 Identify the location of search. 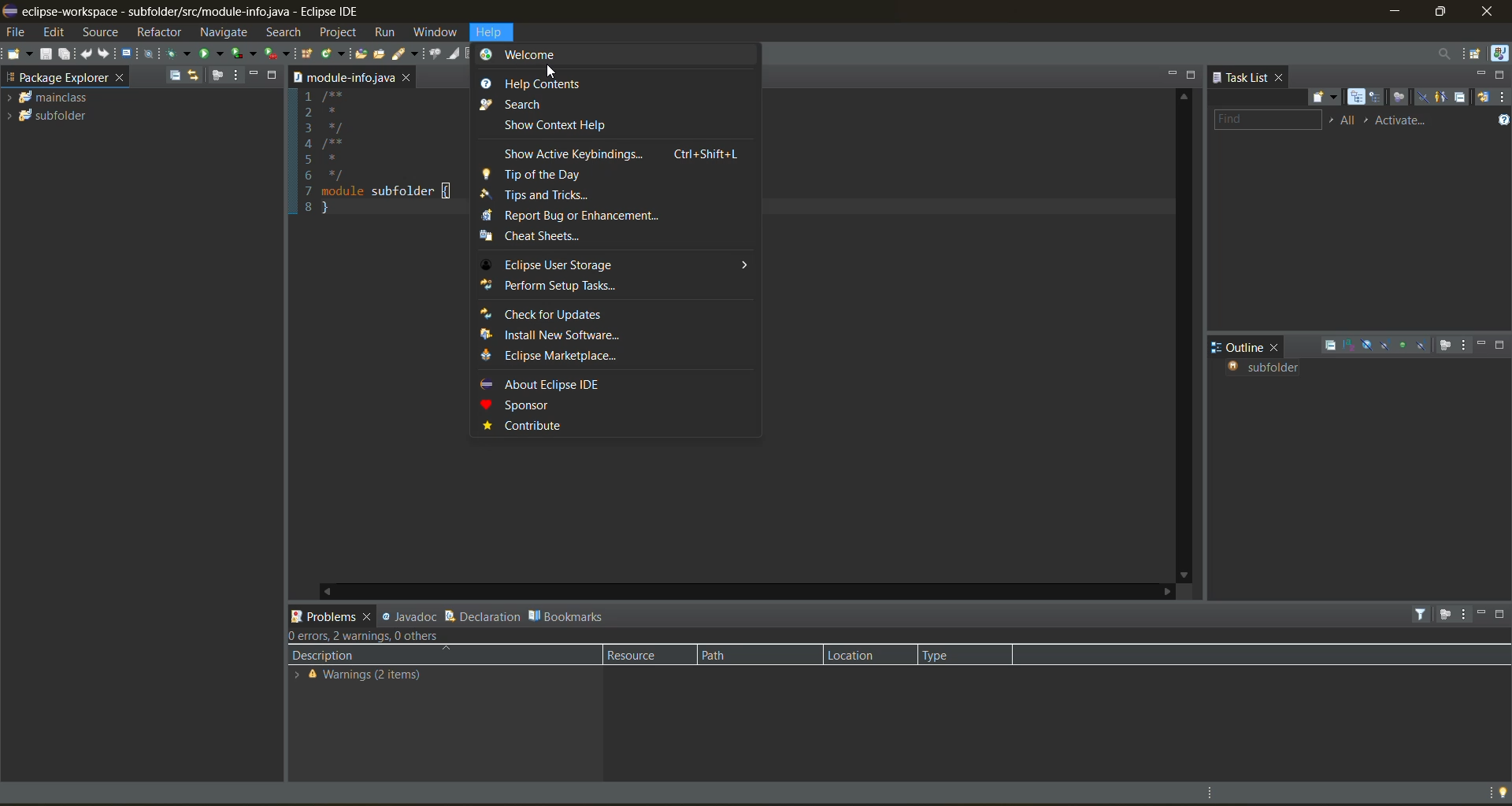
(523, 104).